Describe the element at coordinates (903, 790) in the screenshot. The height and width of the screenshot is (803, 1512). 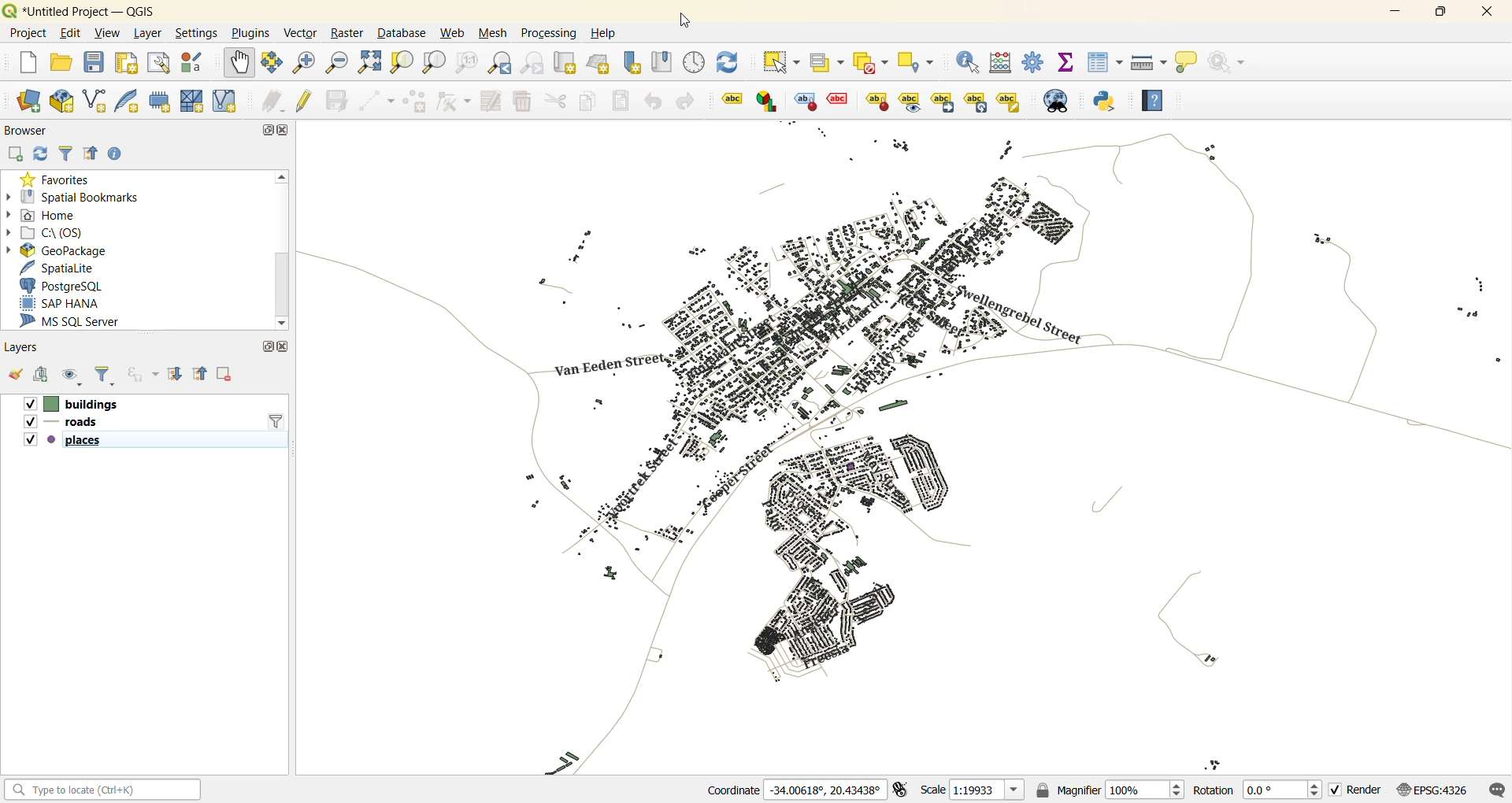
I see `toggle extents` at that location.